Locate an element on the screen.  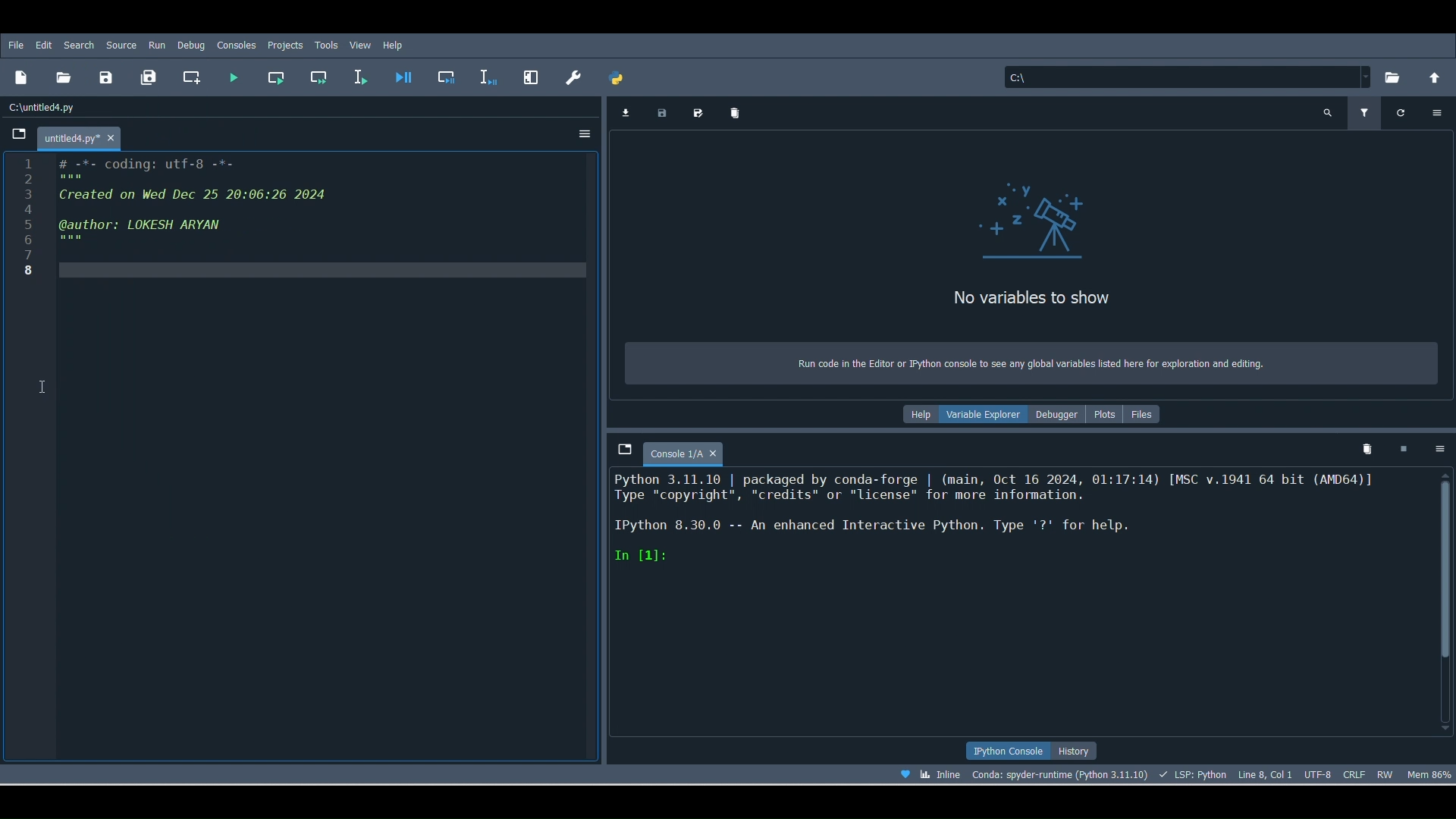
Global memory usage is located at coordinates (1432, 775).